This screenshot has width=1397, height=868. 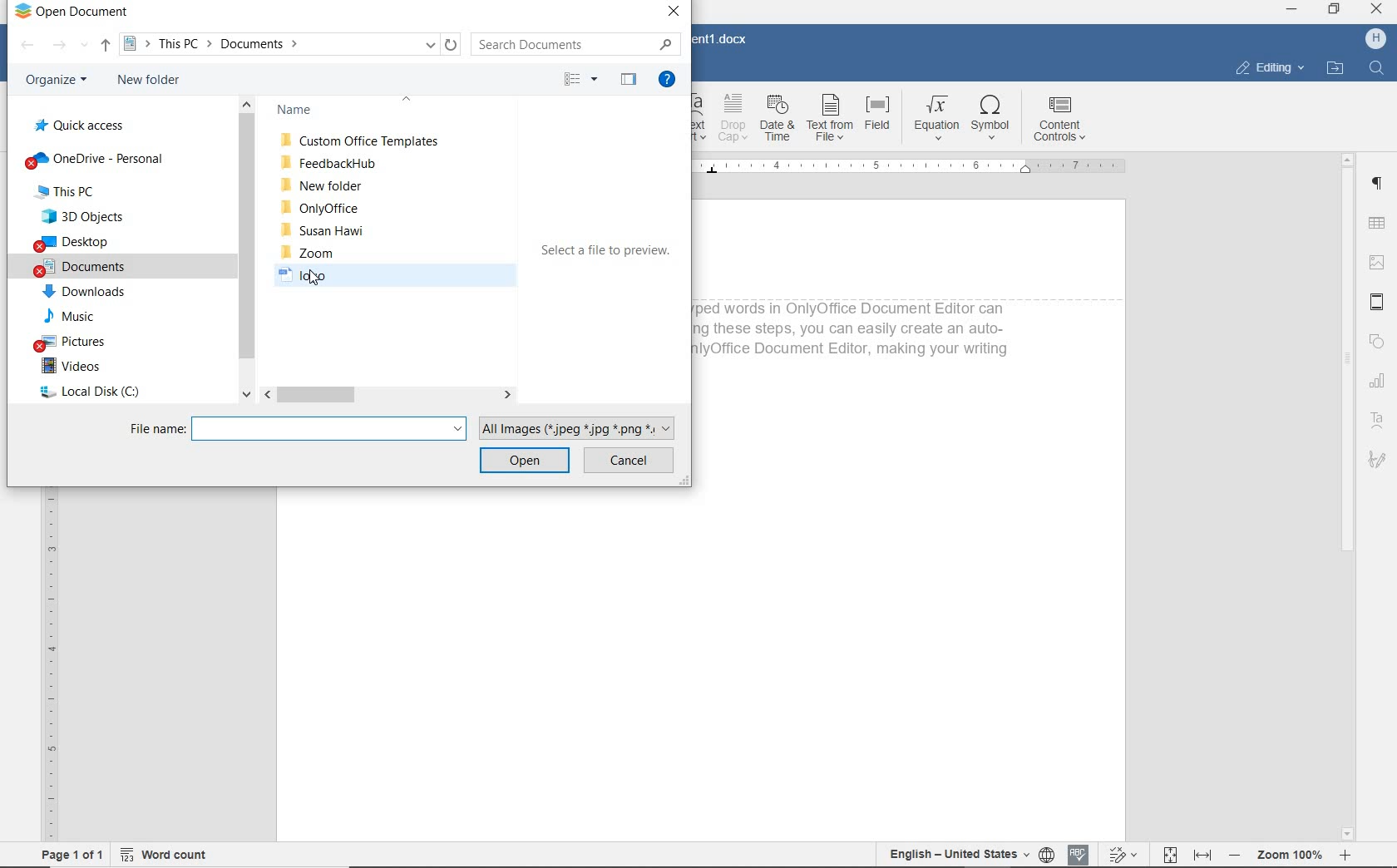 I want to click on HEADER & FOOTER, so click(x=1377, y=303).